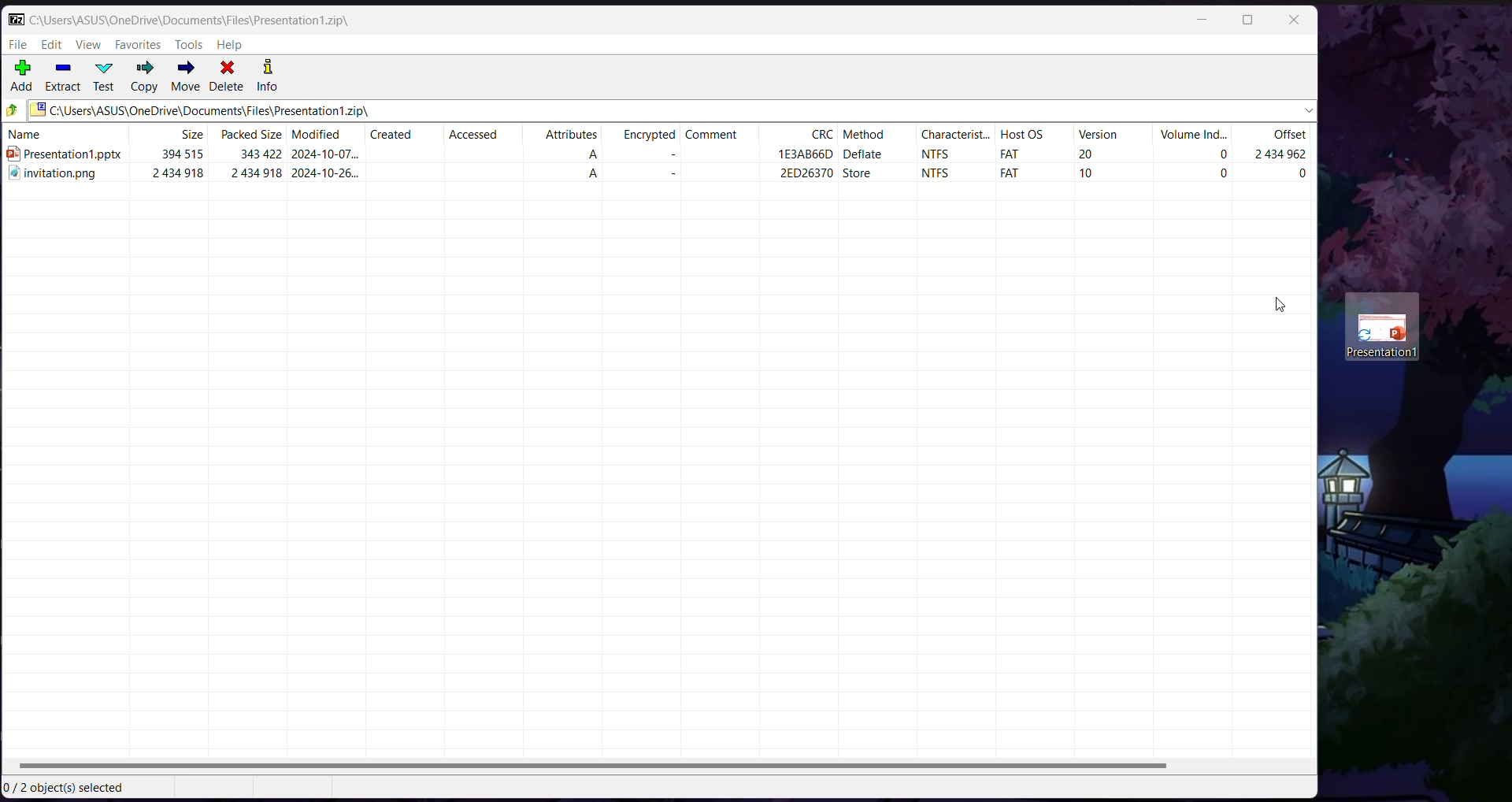 Image resolution: width=1512 pixels, height=802 pixels. What do you see at coordinates (72, 156) in the screenshot?
I see `presentation1.pptx` at bounding box center [72, 156].